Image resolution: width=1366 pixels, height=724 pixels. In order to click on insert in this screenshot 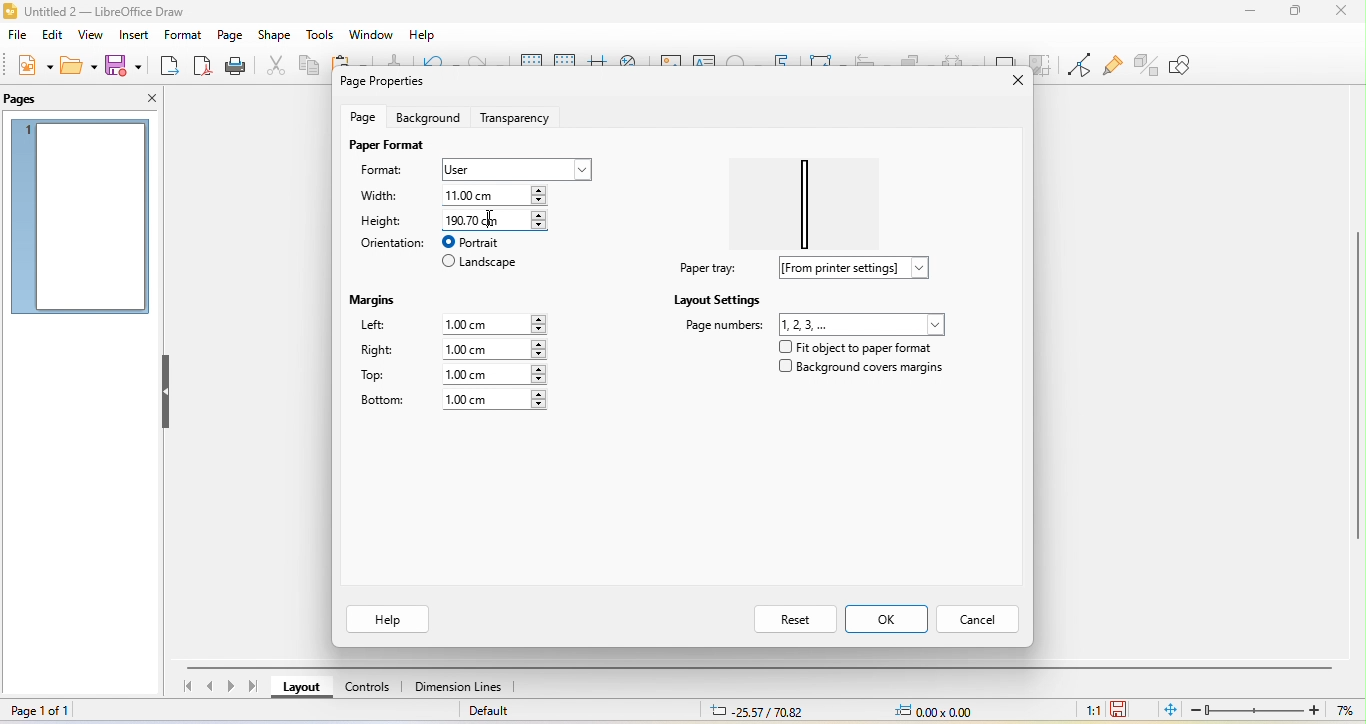, I will do `click(132, 36)`.